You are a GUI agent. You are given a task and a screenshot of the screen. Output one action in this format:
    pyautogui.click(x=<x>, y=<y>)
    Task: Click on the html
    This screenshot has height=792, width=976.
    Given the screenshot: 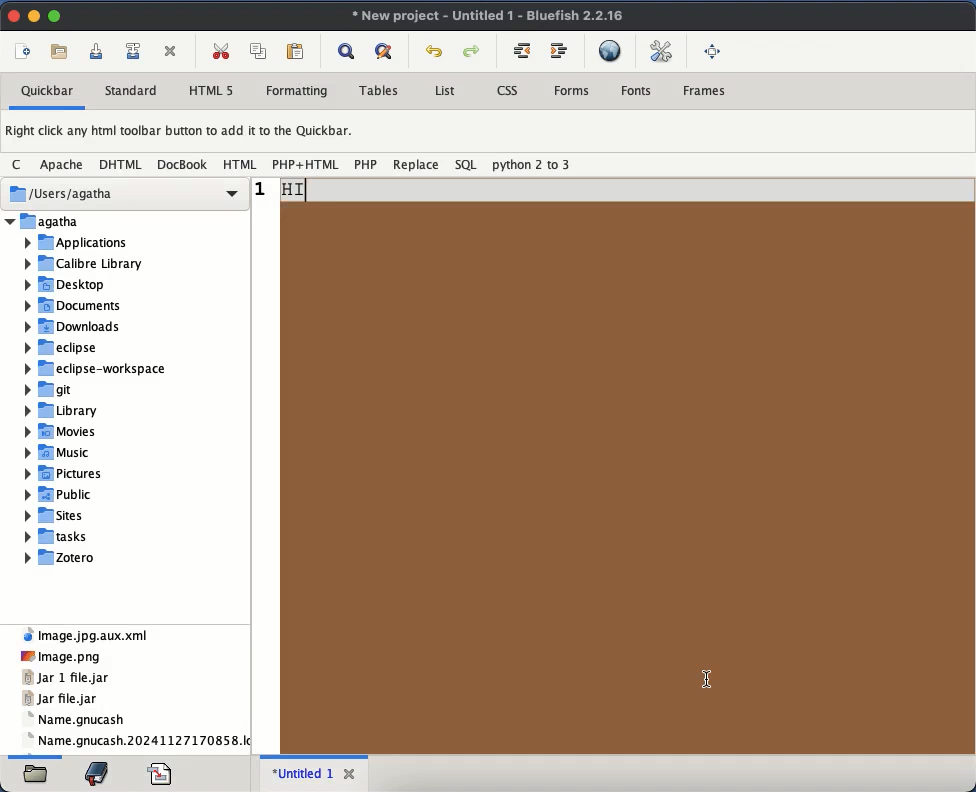 What is the action you would take?
    pyautogui.click(x=240, y=165)
    